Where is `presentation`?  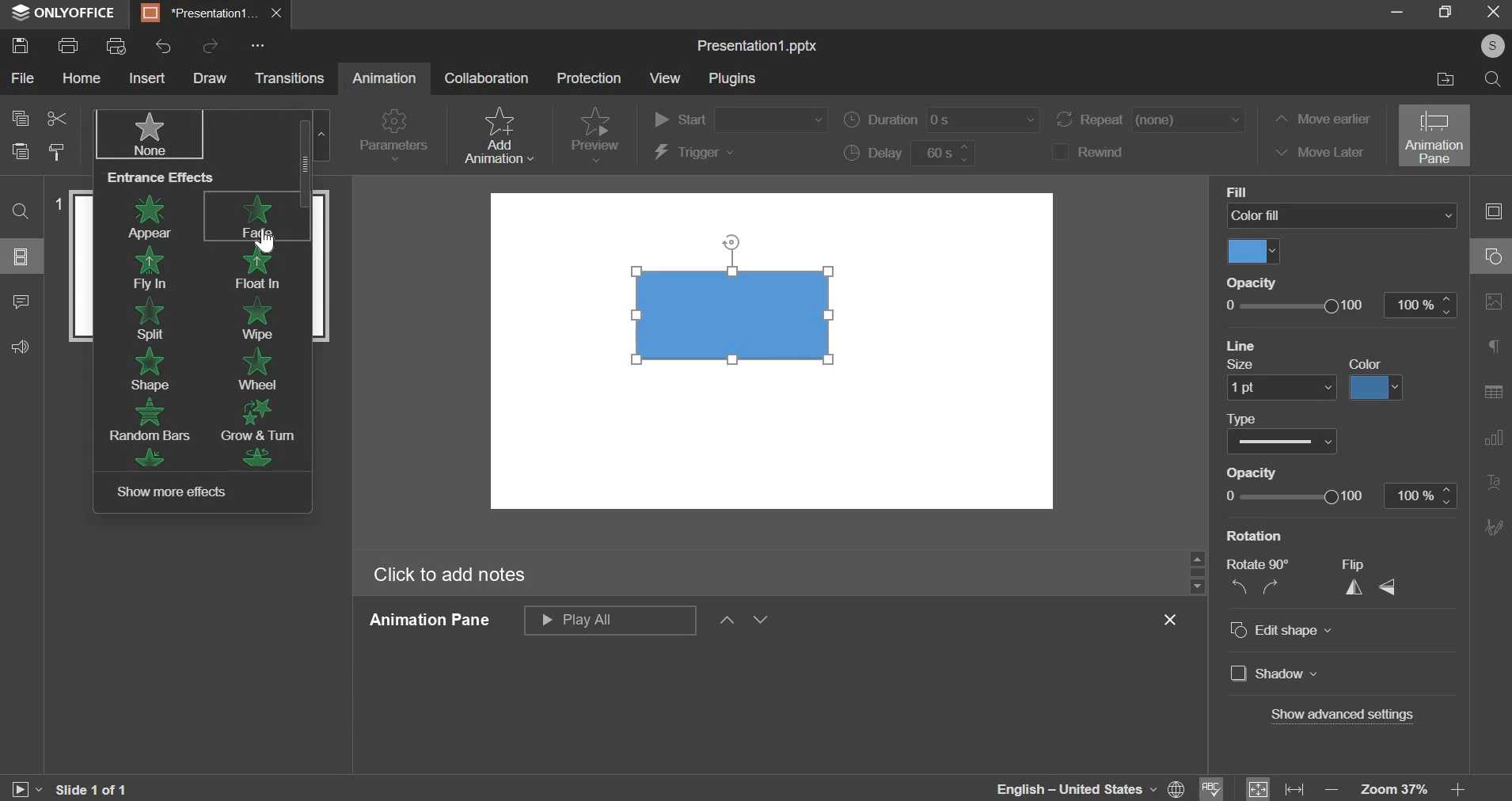 presentation is located at coordinates (209, 15).